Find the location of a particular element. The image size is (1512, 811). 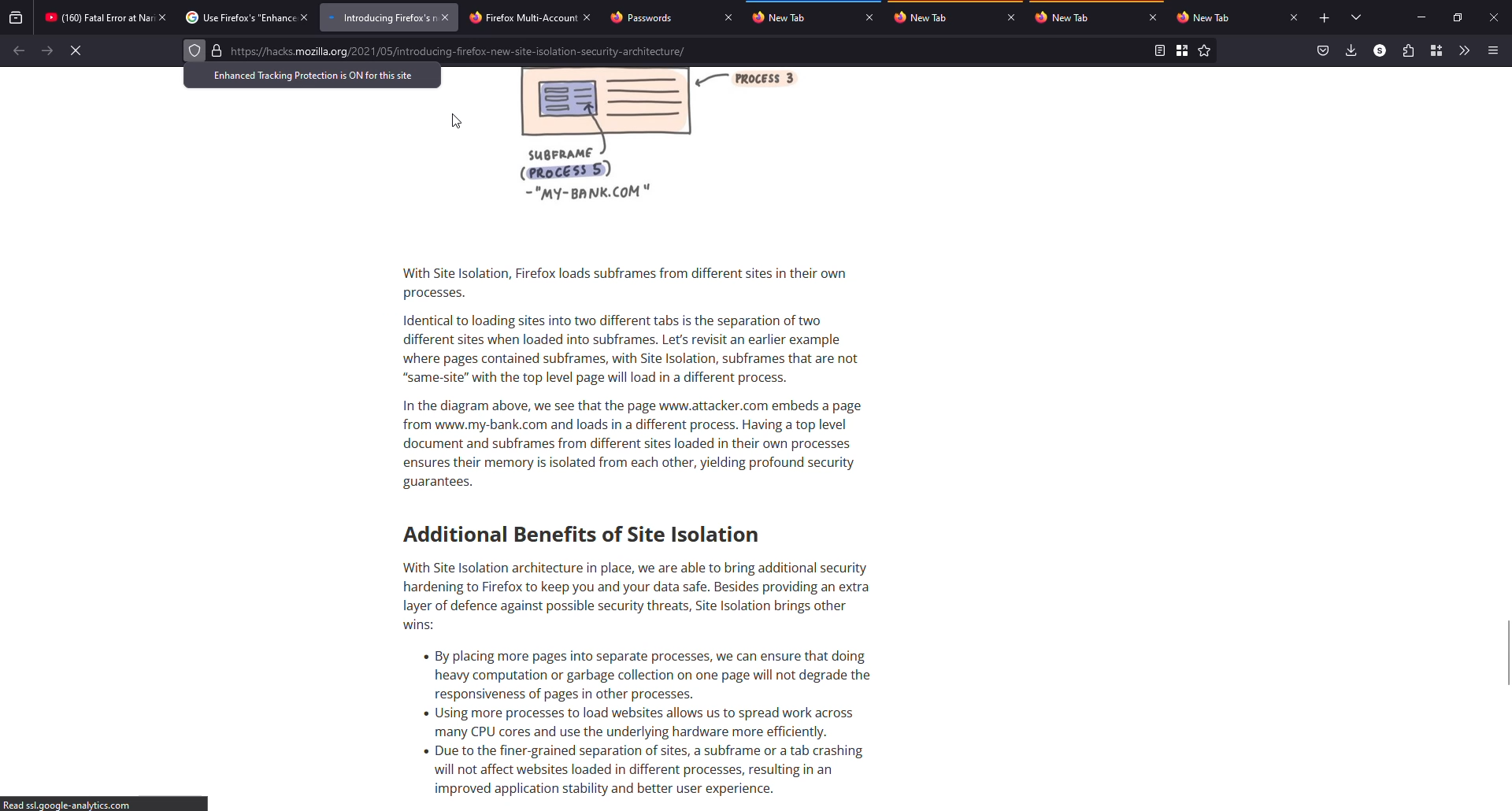

close is located at coordinates (1493, 17).